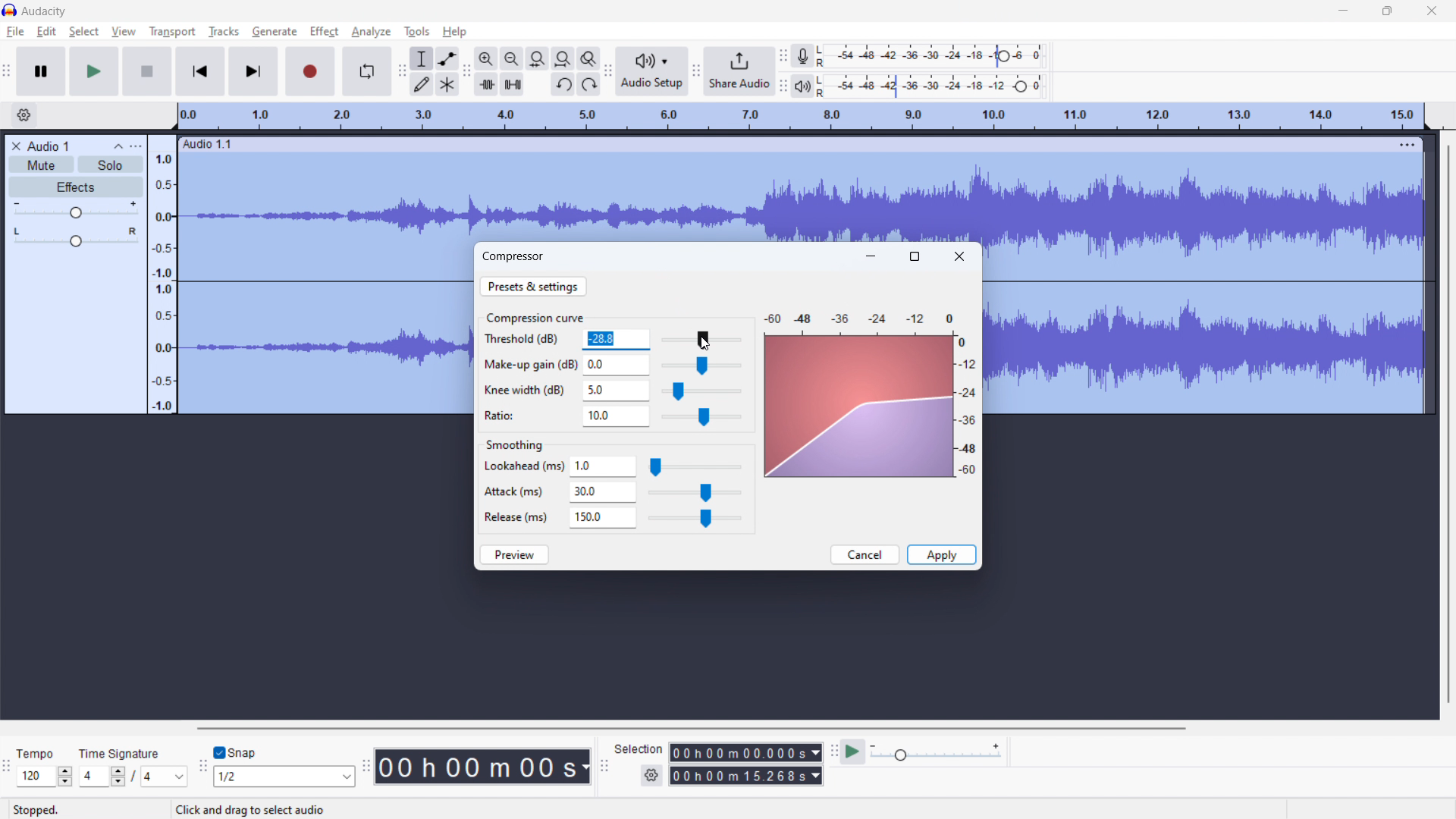  I want to click on analyze, so click(370, 33).